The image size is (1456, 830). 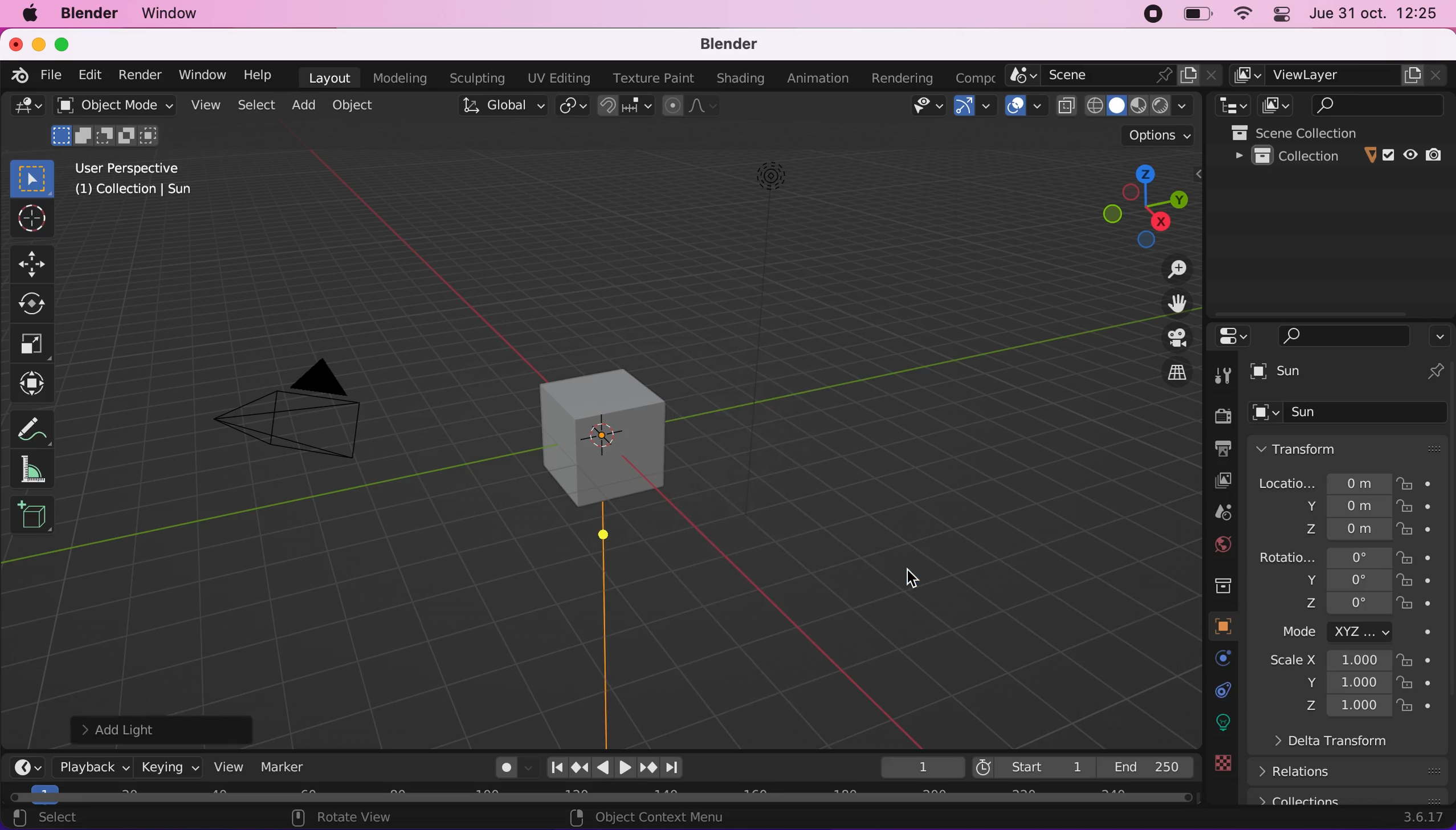 What do you see at coordinates (1340, 156) in the screenshot?
I see `collection` at bounding box center [1340, 156].